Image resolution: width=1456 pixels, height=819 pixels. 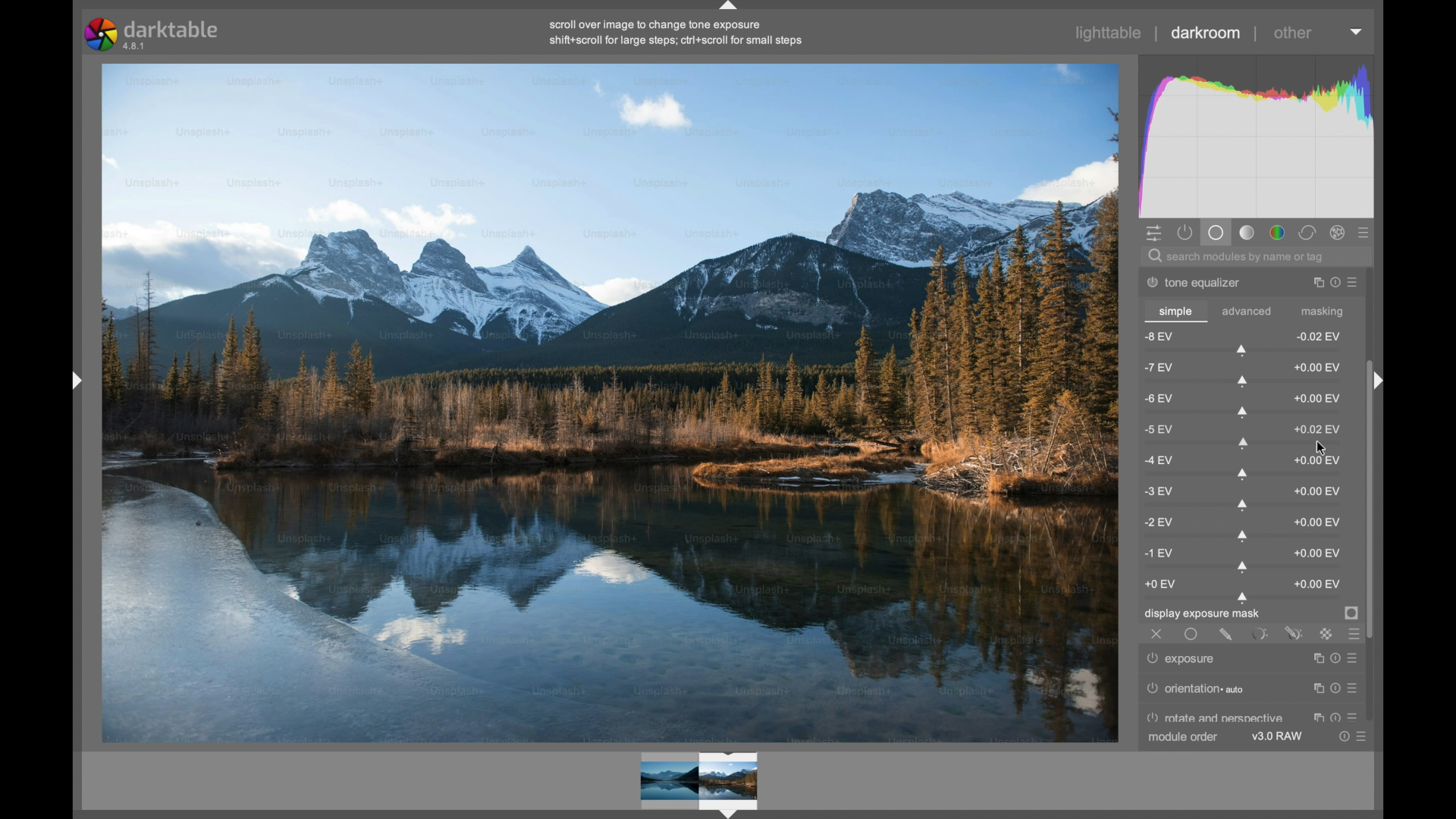 What do you see at coordinates (1335, 281) in the screenshot?
I see `reset parameter` at bounding box center [1335, 281].